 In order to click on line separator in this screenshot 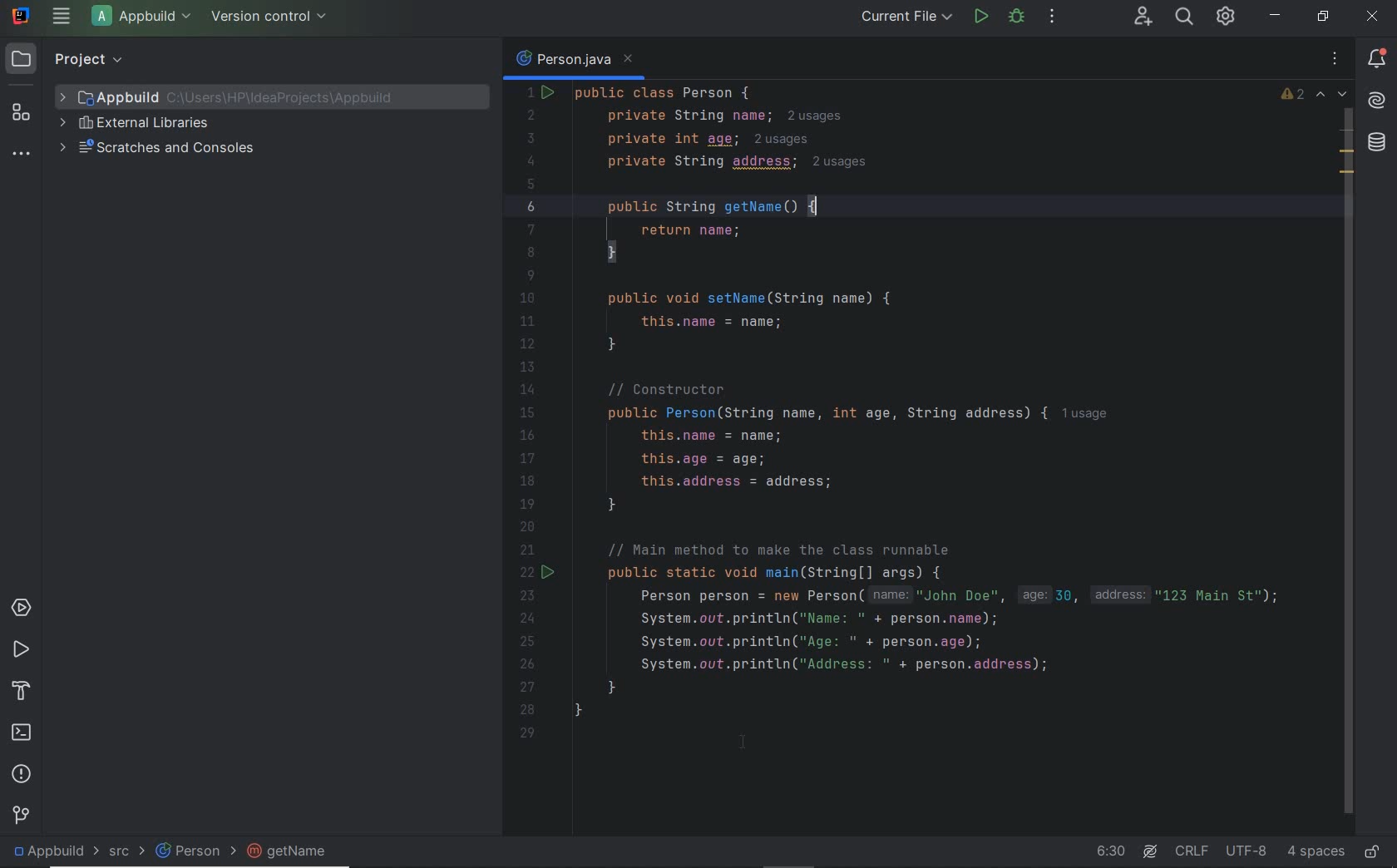, I will do `click(1192, 852)`.